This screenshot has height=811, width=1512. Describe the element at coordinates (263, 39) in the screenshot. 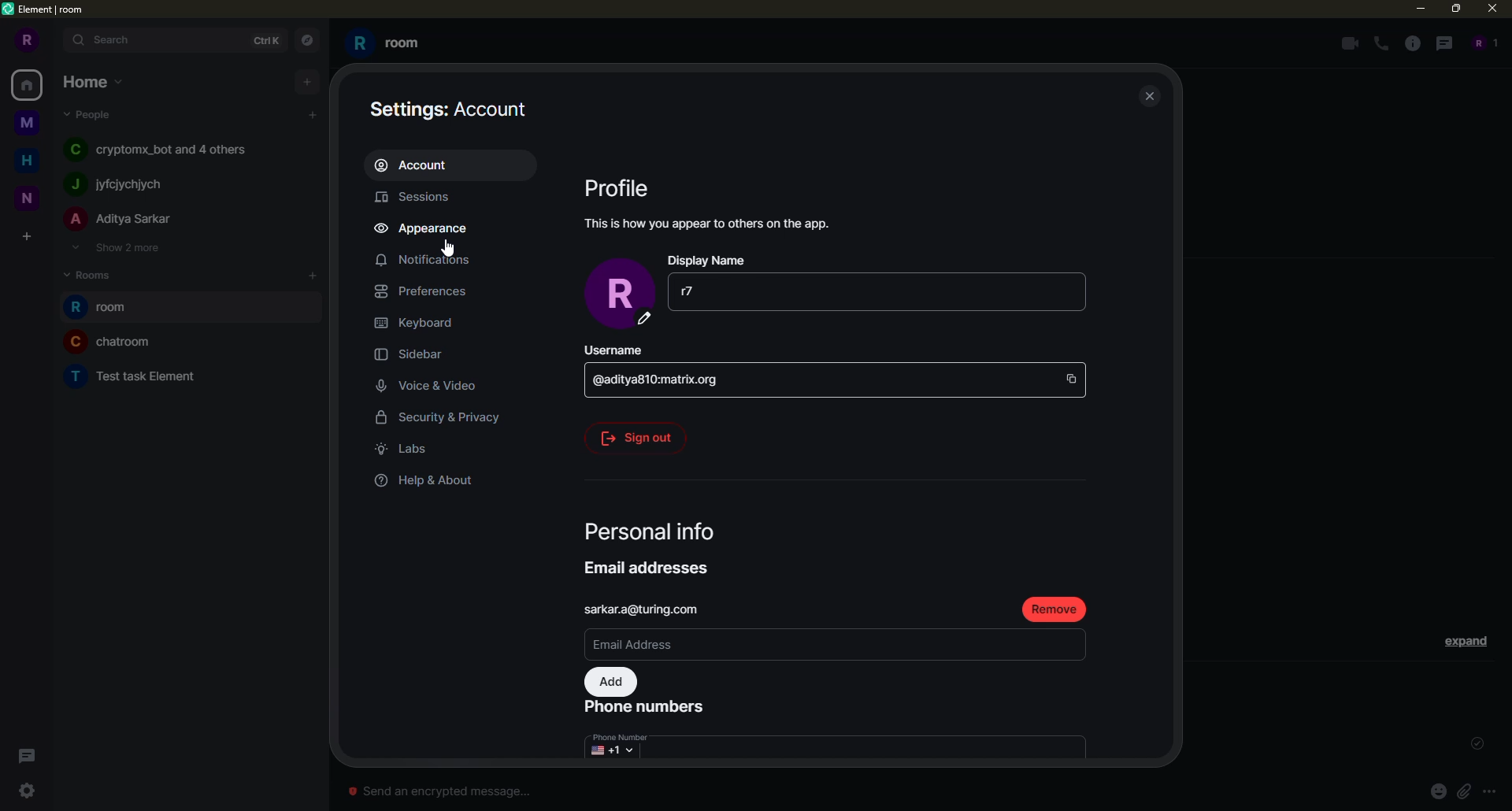

I see `ctrlK` at that location.